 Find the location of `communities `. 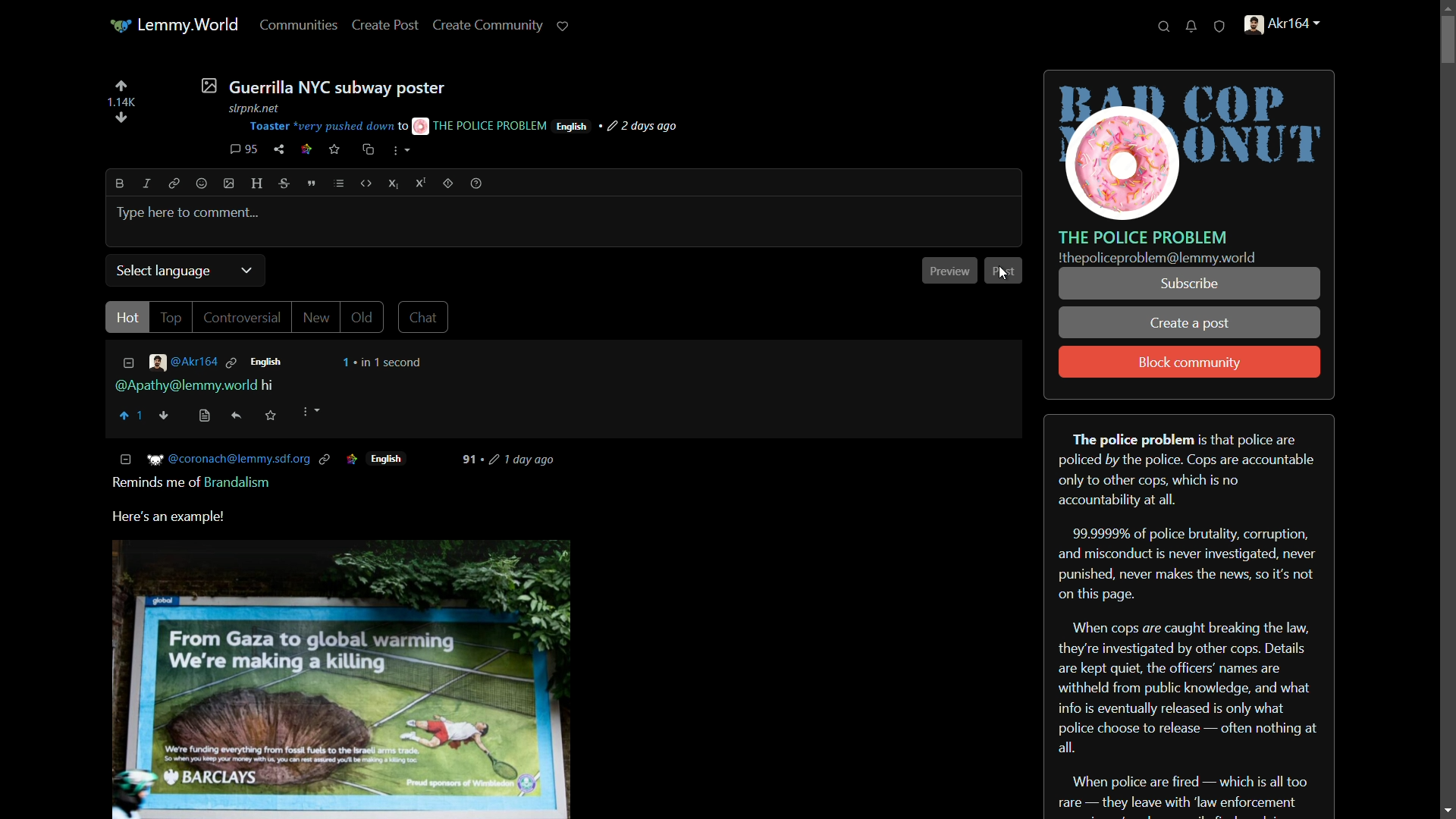

communities  is located at coordinates (300, 24).